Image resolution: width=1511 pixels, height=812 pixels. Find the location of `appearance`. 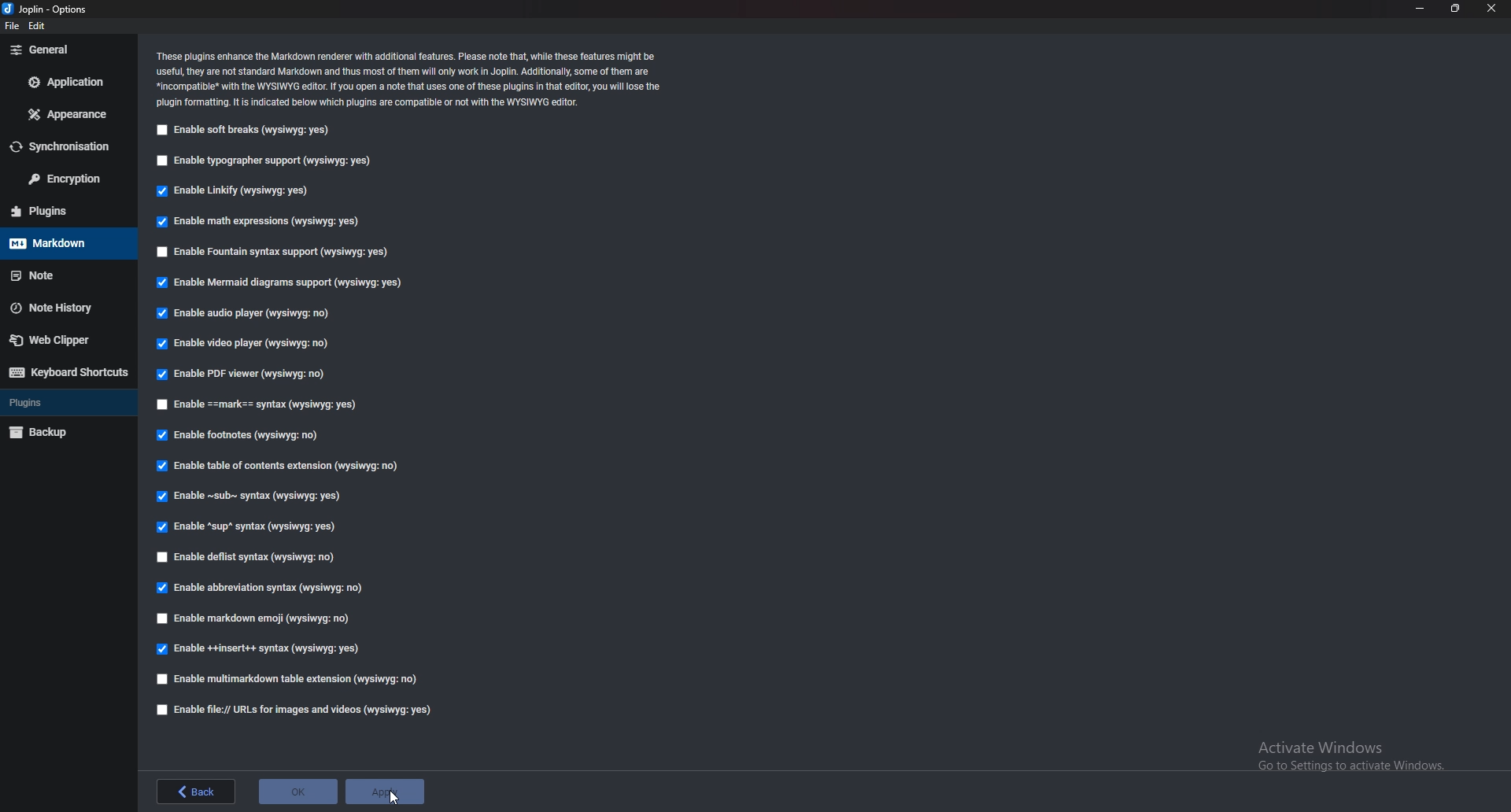

appearance is located at coordinates (71, 116).